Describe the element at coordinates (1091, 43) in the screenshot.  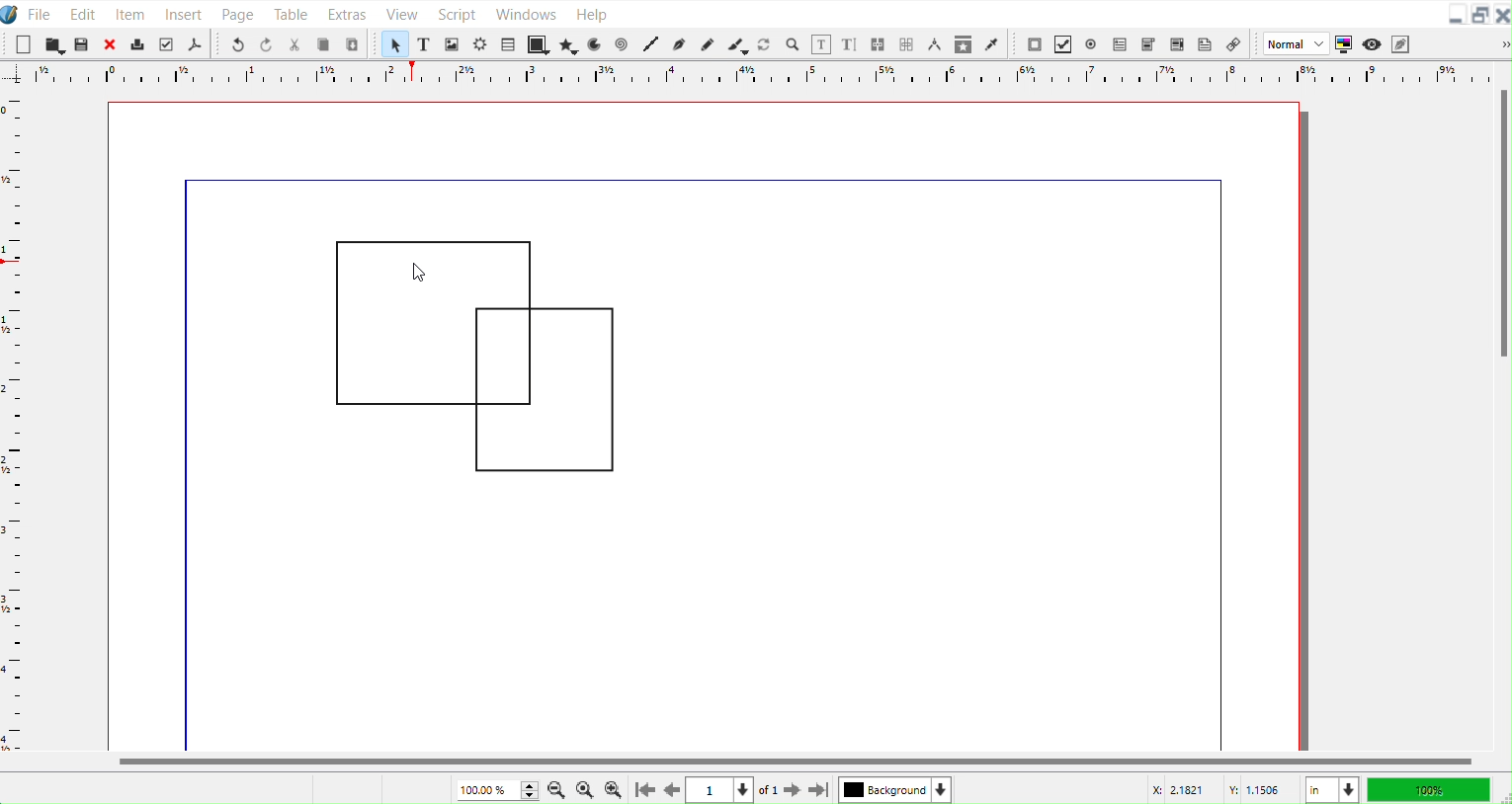
I see `PDF Radio Button` at that location.